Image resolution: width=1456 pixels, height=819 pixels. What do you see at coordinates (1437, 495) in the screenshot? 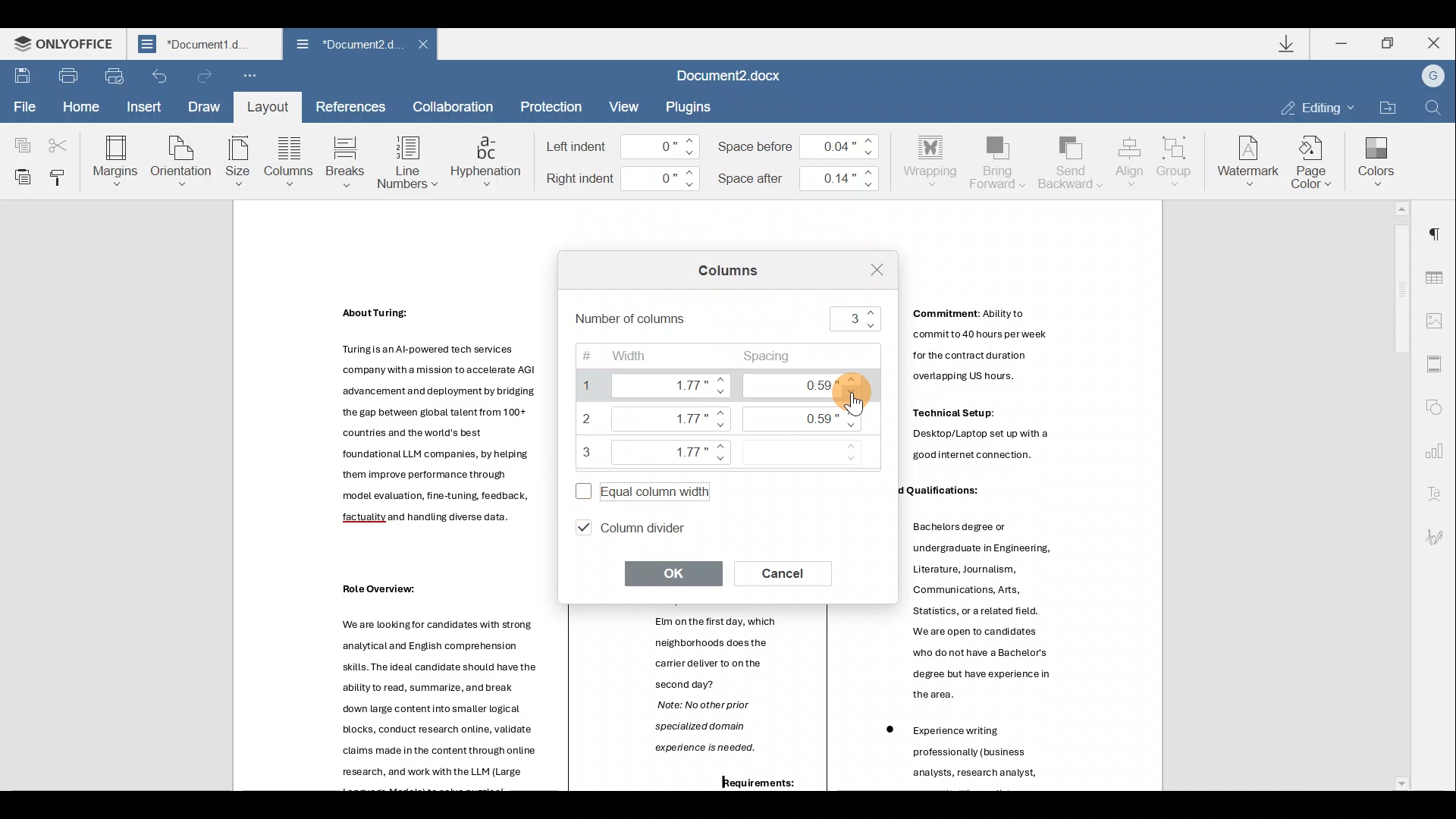
I see `Text Art settings` at bounding box center [1437, 495].